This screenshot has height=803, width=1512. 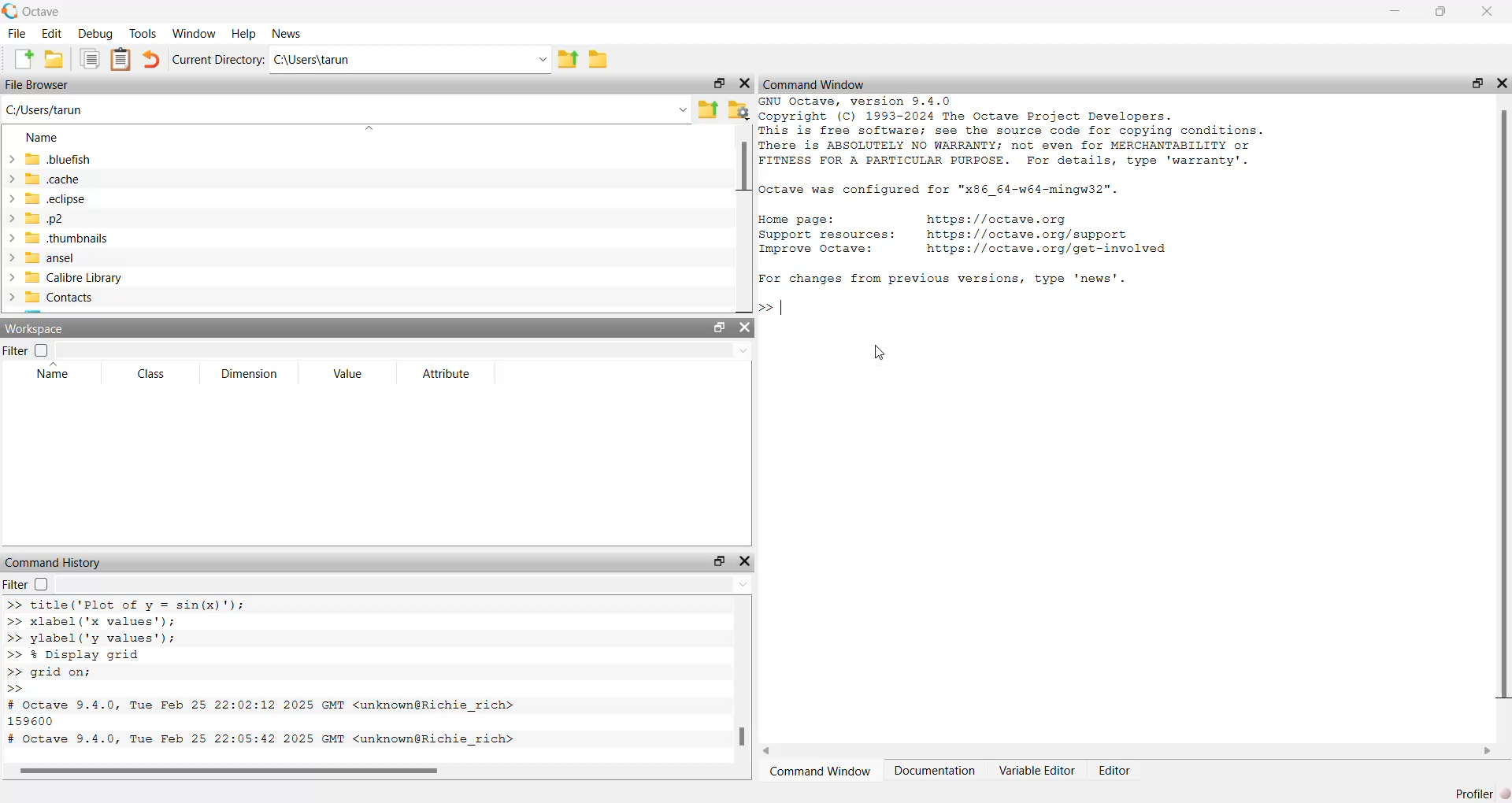 I want to click on Value, so click(x=348, y=374).